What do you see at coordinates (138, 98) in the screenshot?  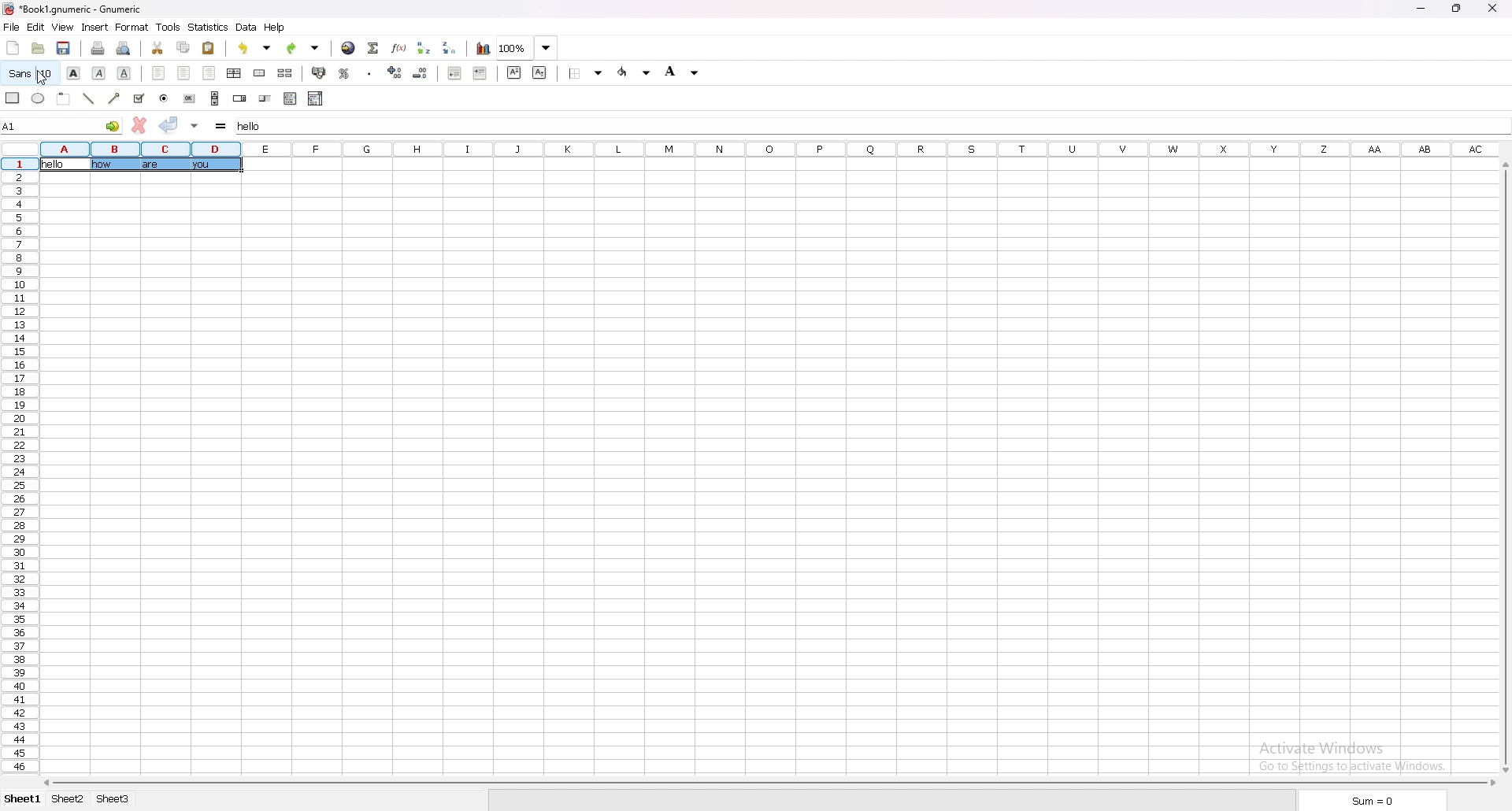 I see `tickbox` at bounding box center [138, 98].